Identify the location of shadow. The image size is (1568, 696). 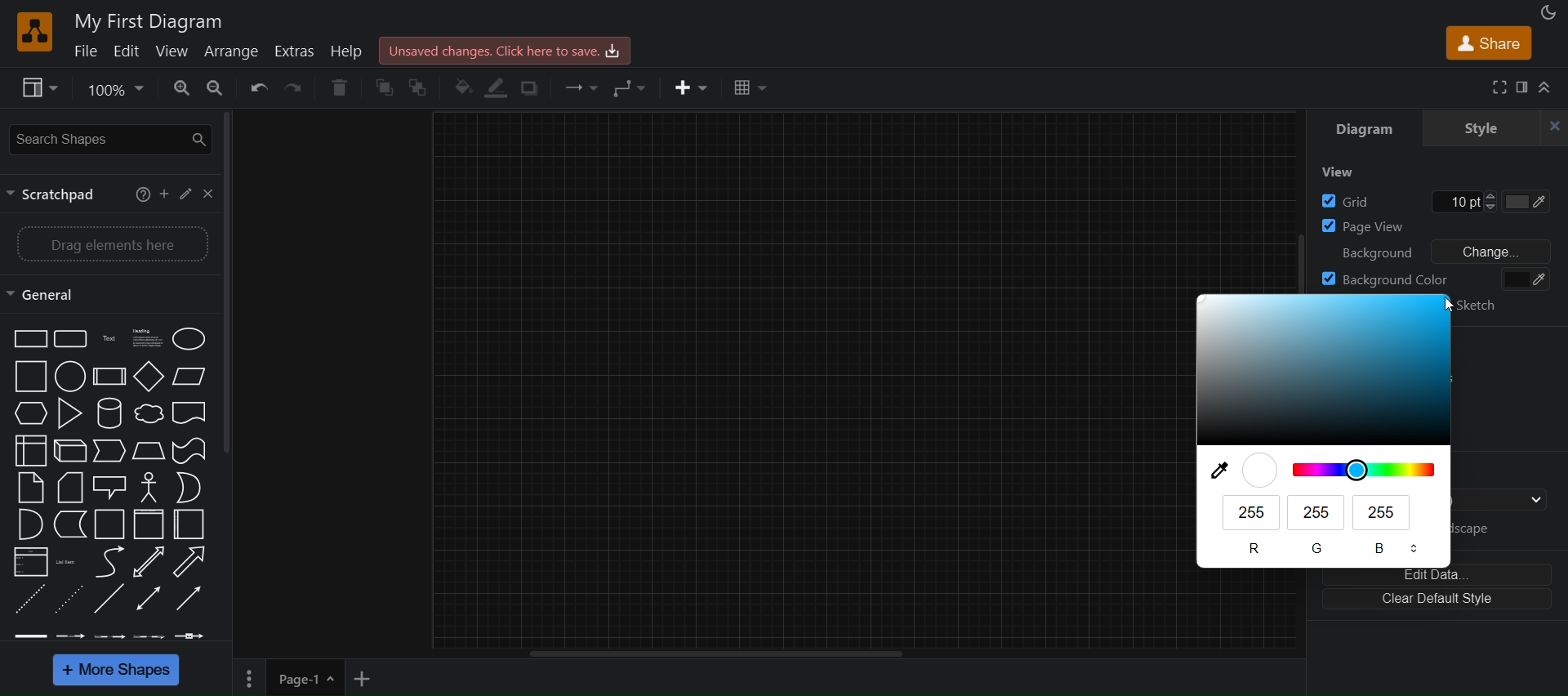
(535, 90).